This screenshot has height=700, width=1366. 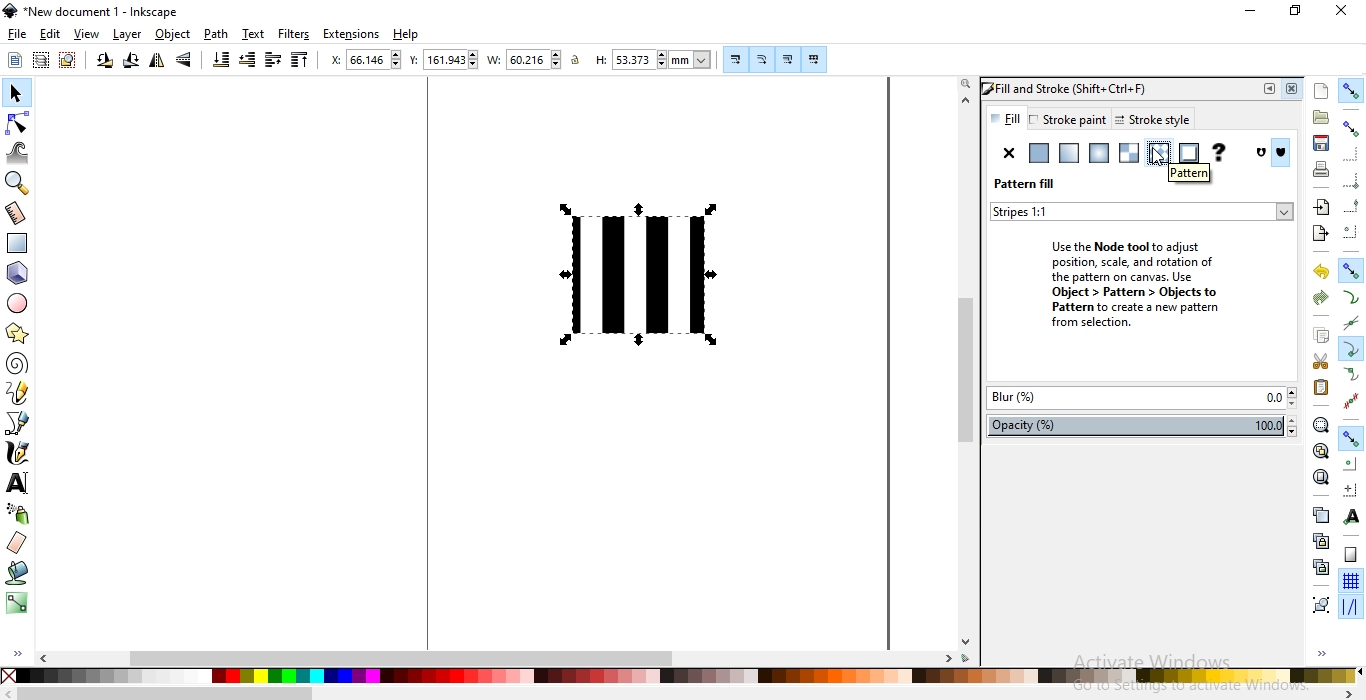 I want to click on opacity(%) 100.0, so click(x=1146, y=427).